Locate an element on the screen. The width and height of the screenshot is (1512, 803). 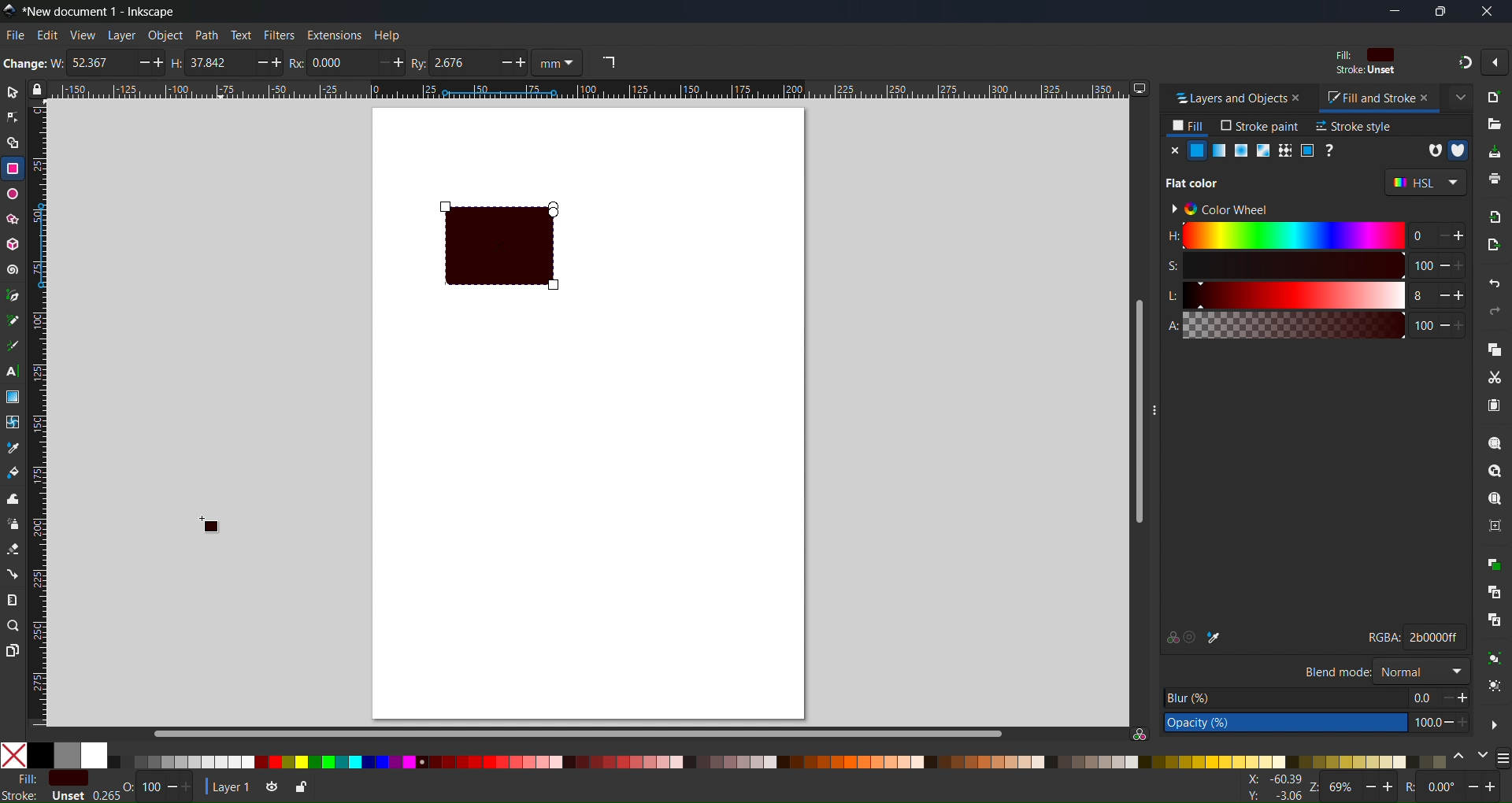
stroke is located at coordinates (20, 795).